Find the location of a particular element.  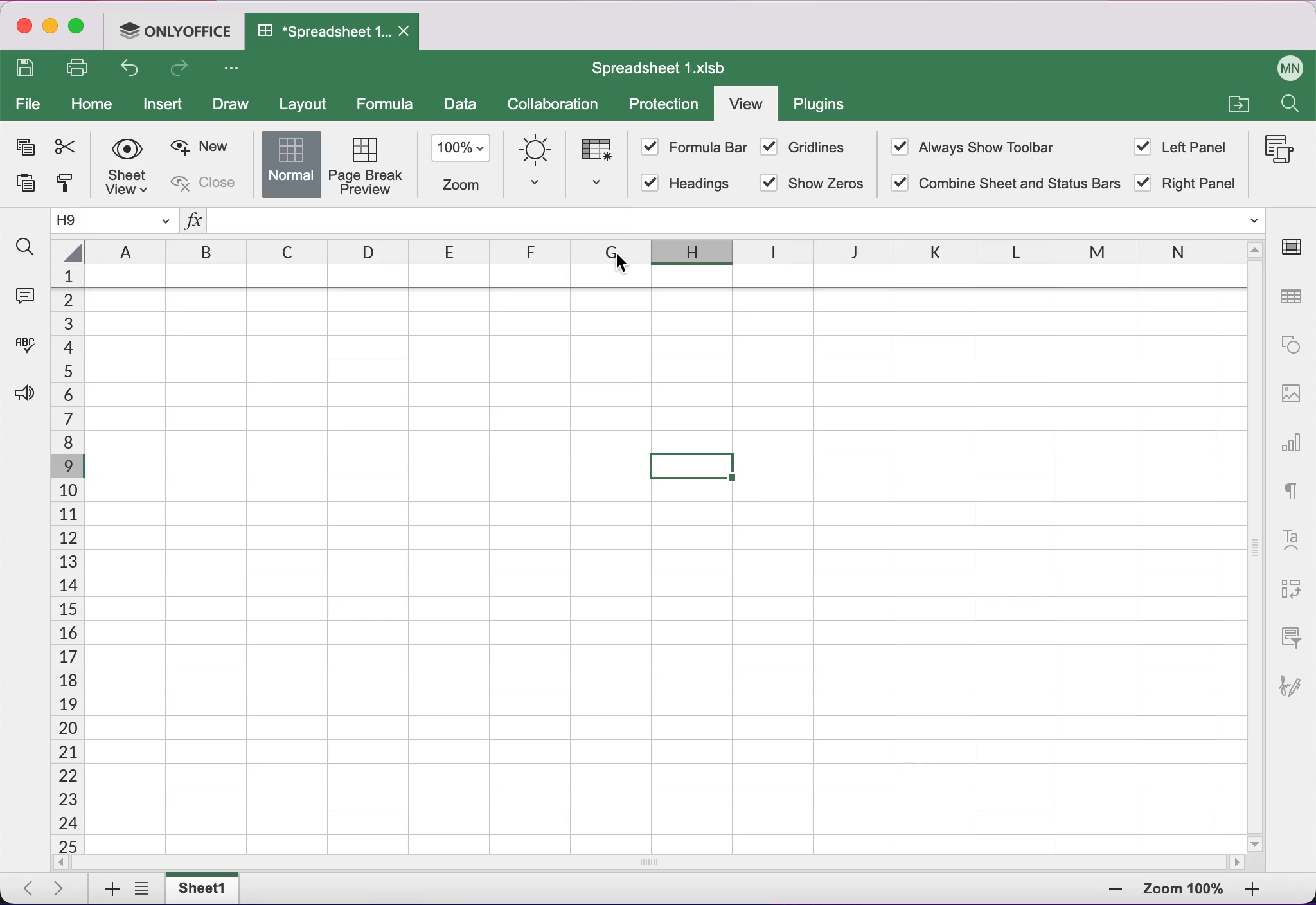

cells is located at coordinates (66, 559).